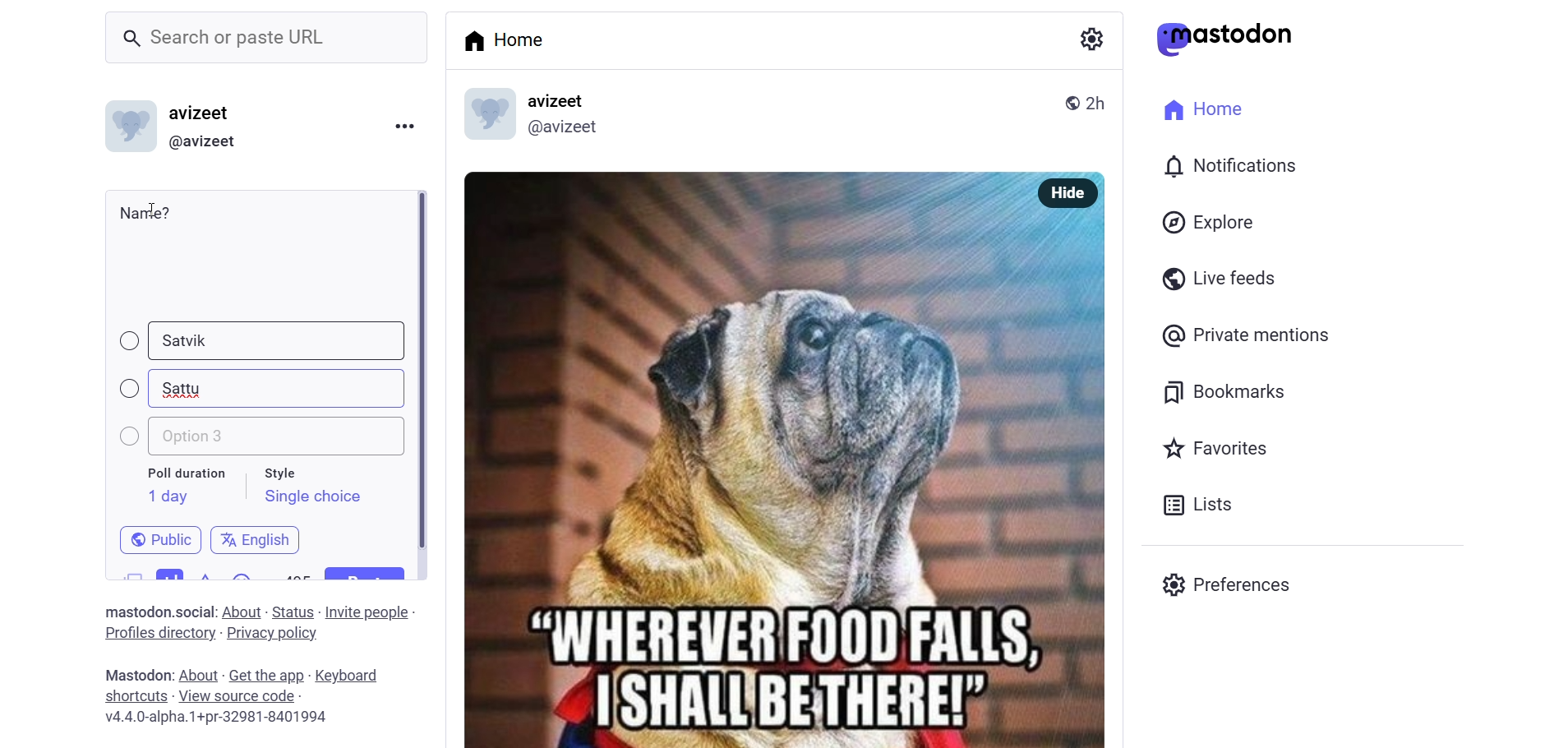 This screenshot has height=748, width=1568. What do you see at coordinates (218, 719) in the screenshot?
I see `version` at bounding box center [218, 719].